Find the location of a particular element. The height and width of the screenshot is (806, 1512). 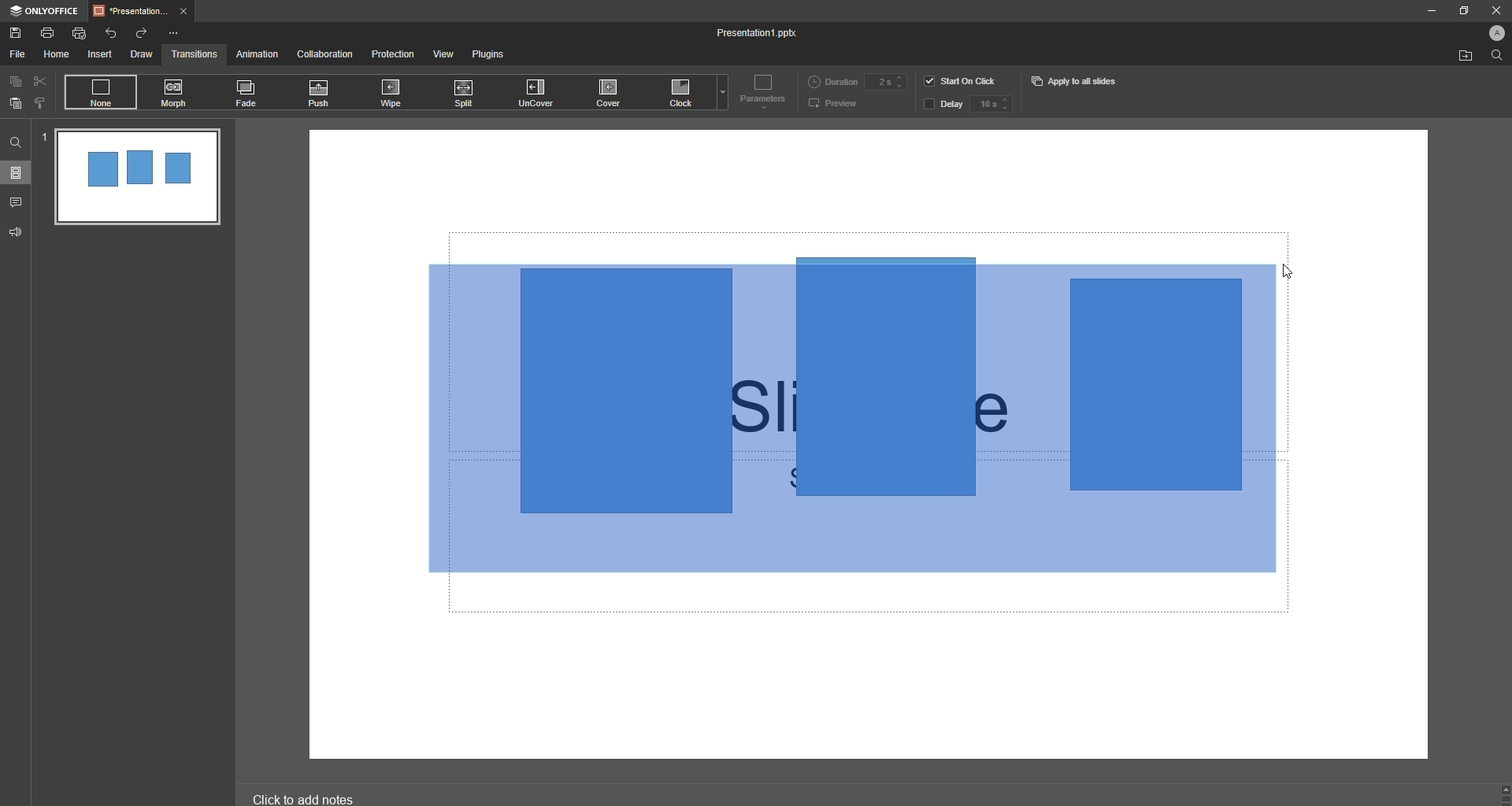

Find is located at coordinates (16, 142).